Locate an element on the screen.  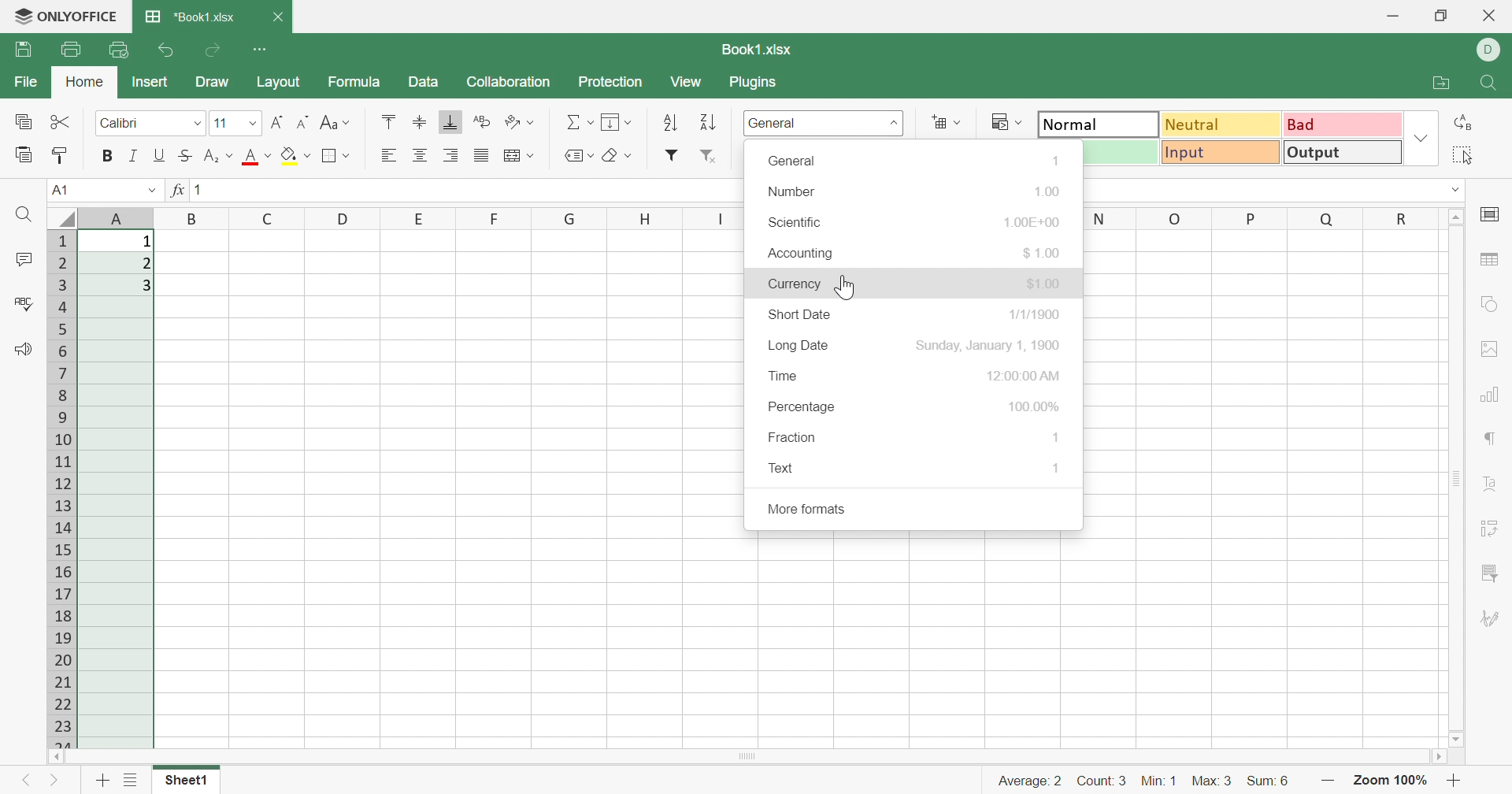
Align right is located at coordinates (454, 155).